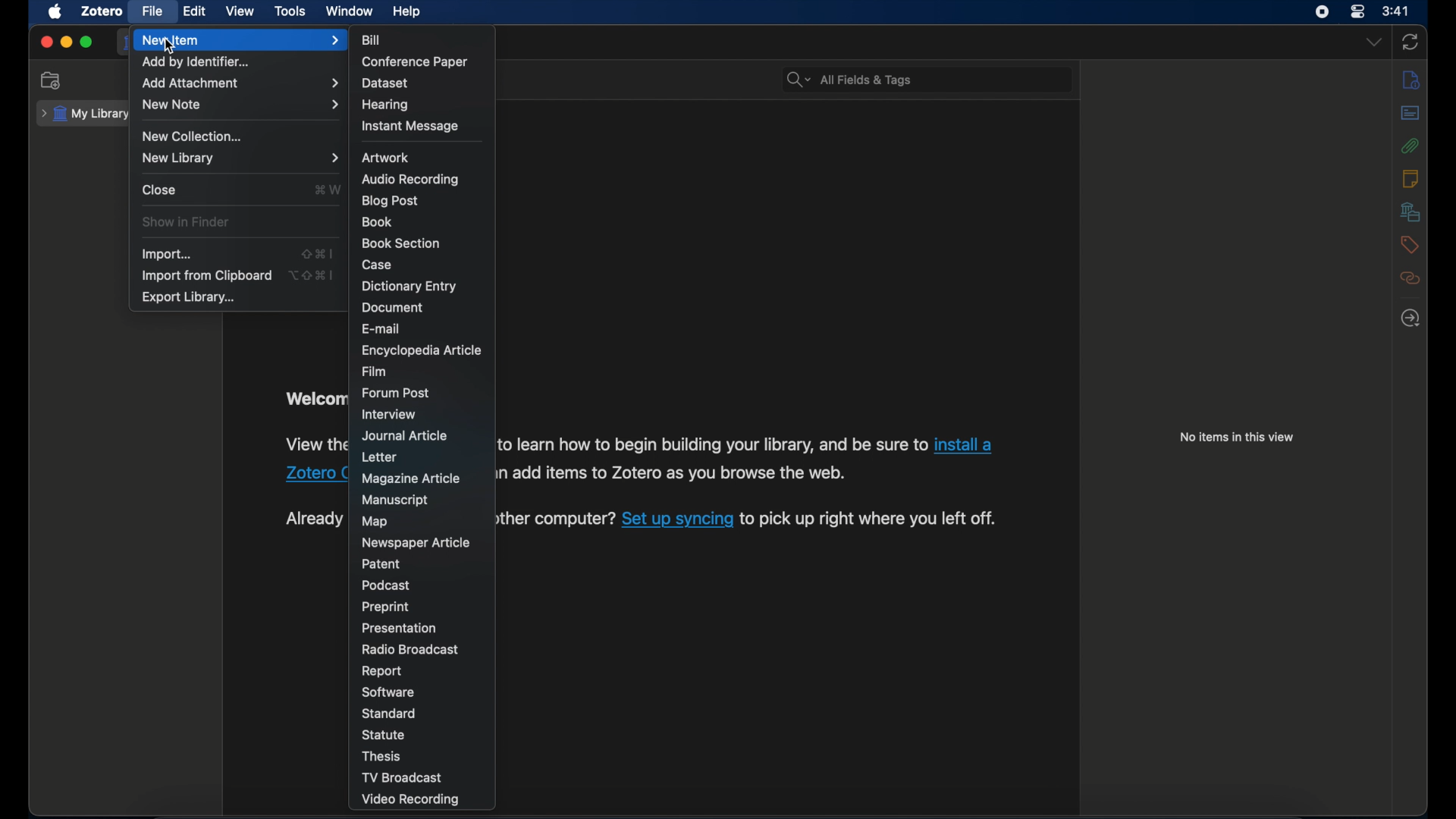 This screenshot has height=819, width=1456. Describe the element at coordinates (384, 83) in the screenshot. I see `dataset` at that location.